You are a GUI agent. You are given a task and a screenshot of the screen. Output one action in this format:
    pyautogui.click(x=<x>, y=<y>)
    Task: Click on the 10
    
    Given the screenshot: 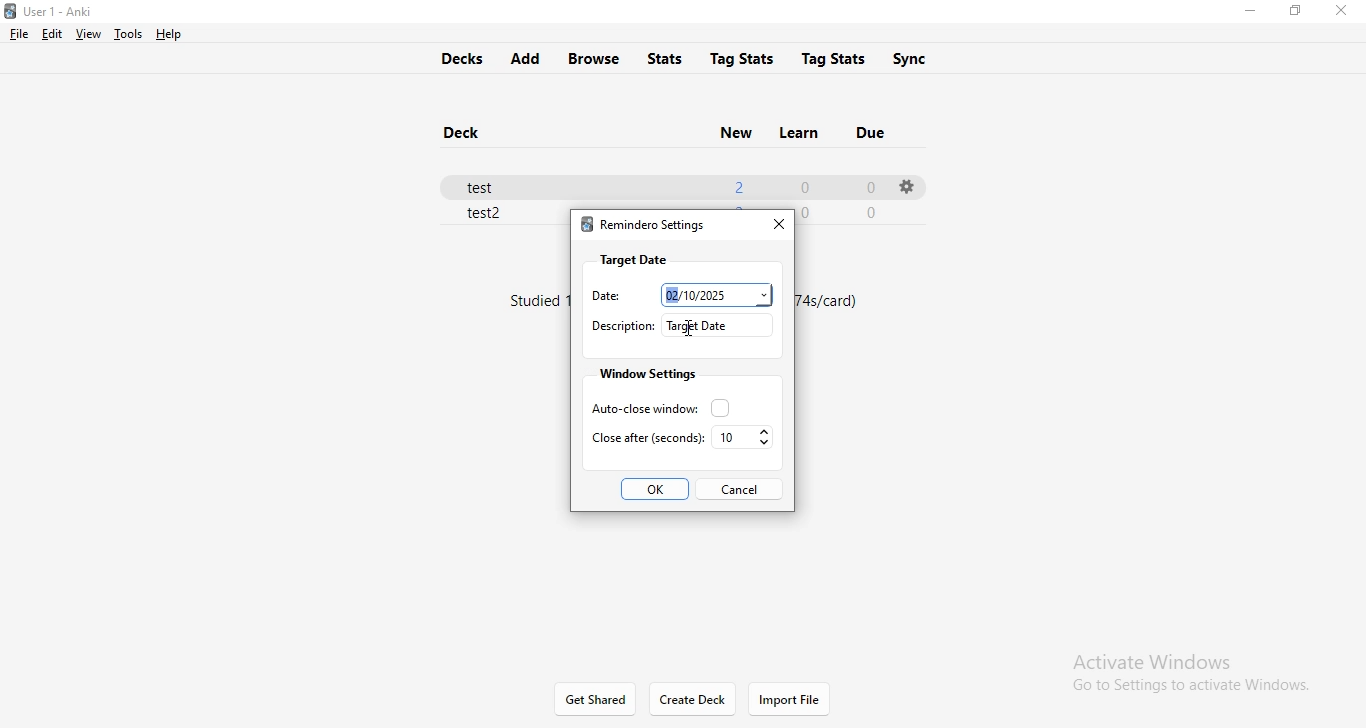 What is the action you would take?
    pyautogui.click(x=744, y=438)
    